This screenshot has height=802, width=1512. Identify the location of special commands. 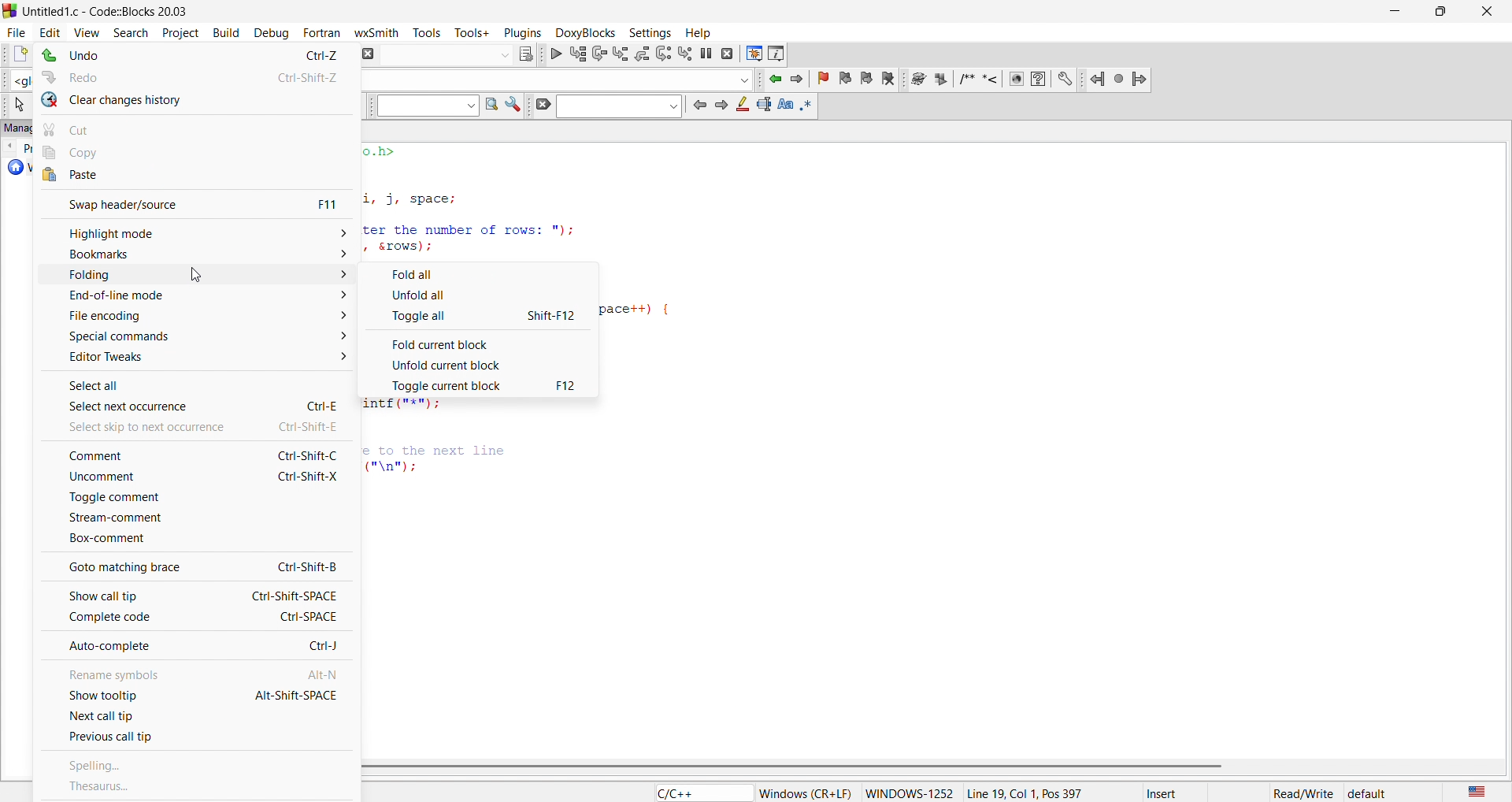
(191, 336).